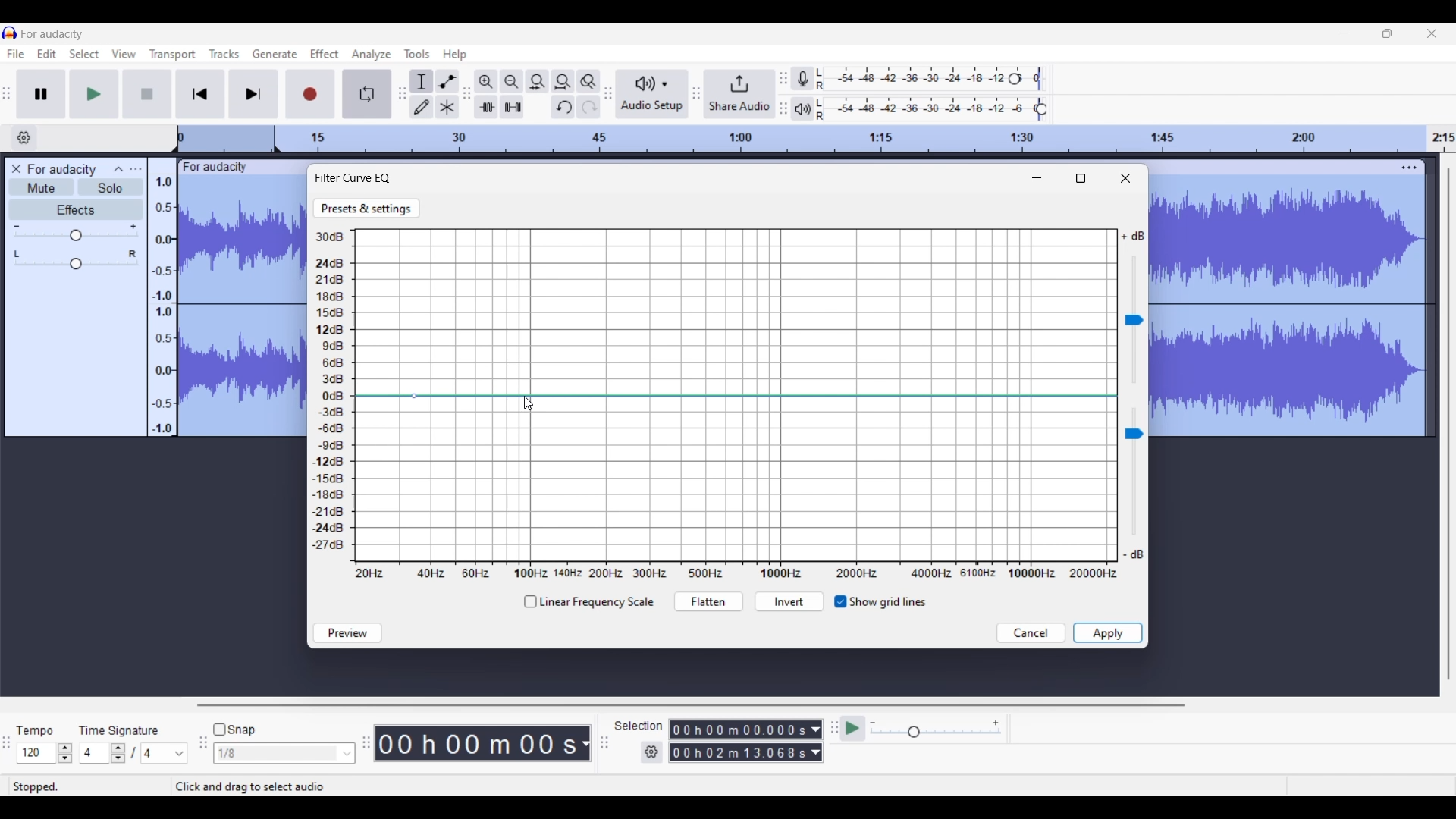 The image size is (1456, 819). What do you see at coordinates (332, 392) in the screenshot?
I see `Y axis representing Decibel` at bounding box center [332, 392].